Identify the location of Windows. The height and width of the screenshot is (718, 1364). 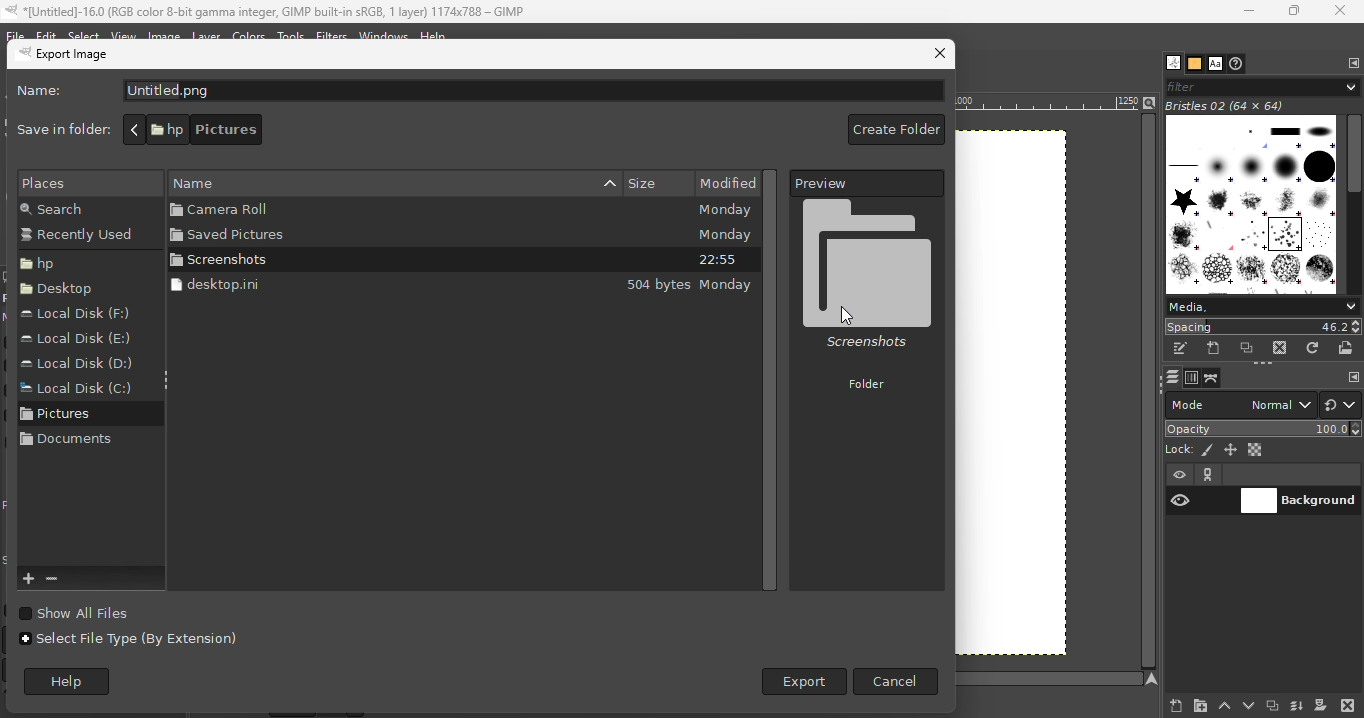
(384, 35).